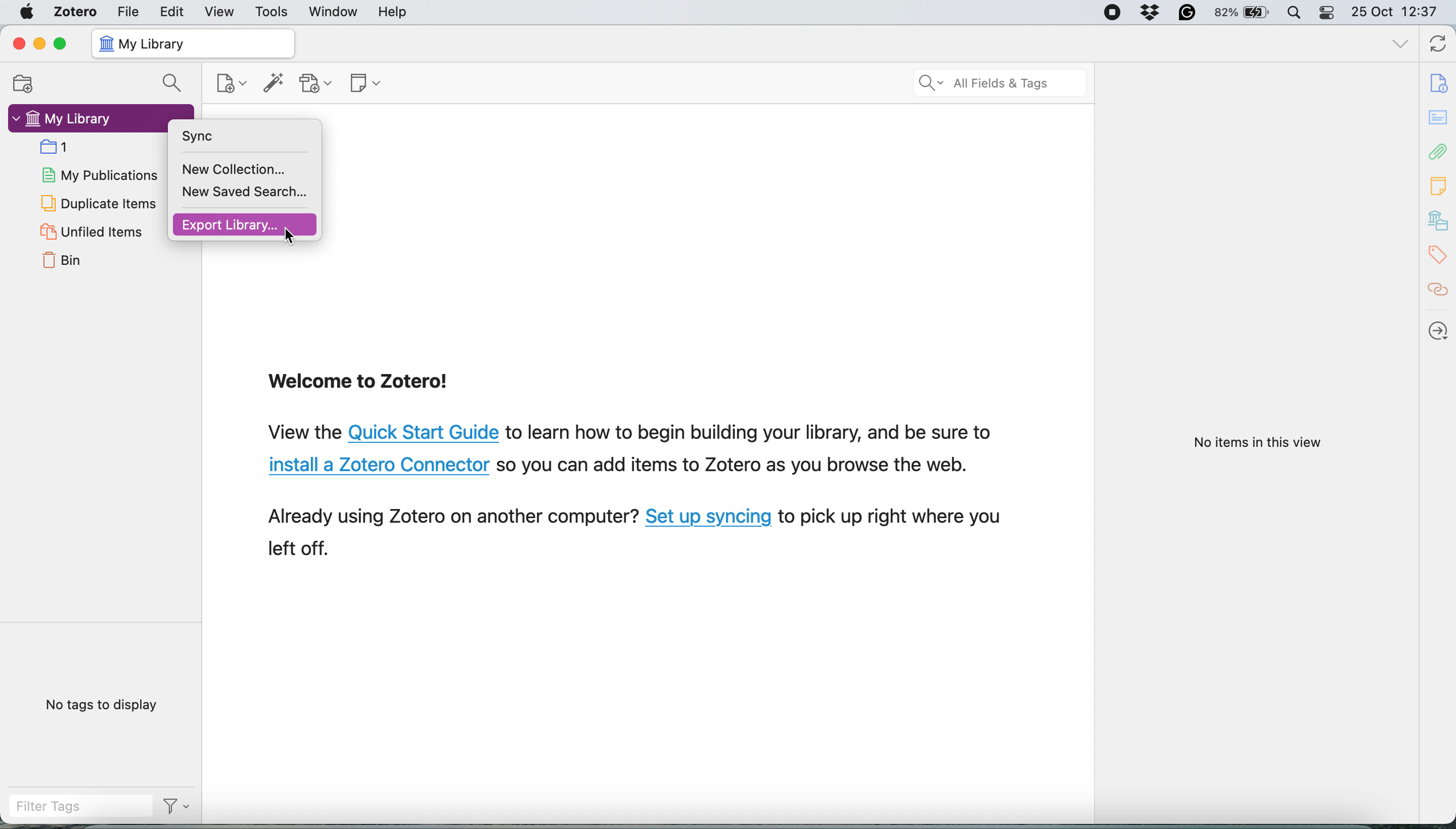  What do you see at coordinates (100, 704) in the screenshot?
I see `no tags to display` at bounding box center [100, 704].